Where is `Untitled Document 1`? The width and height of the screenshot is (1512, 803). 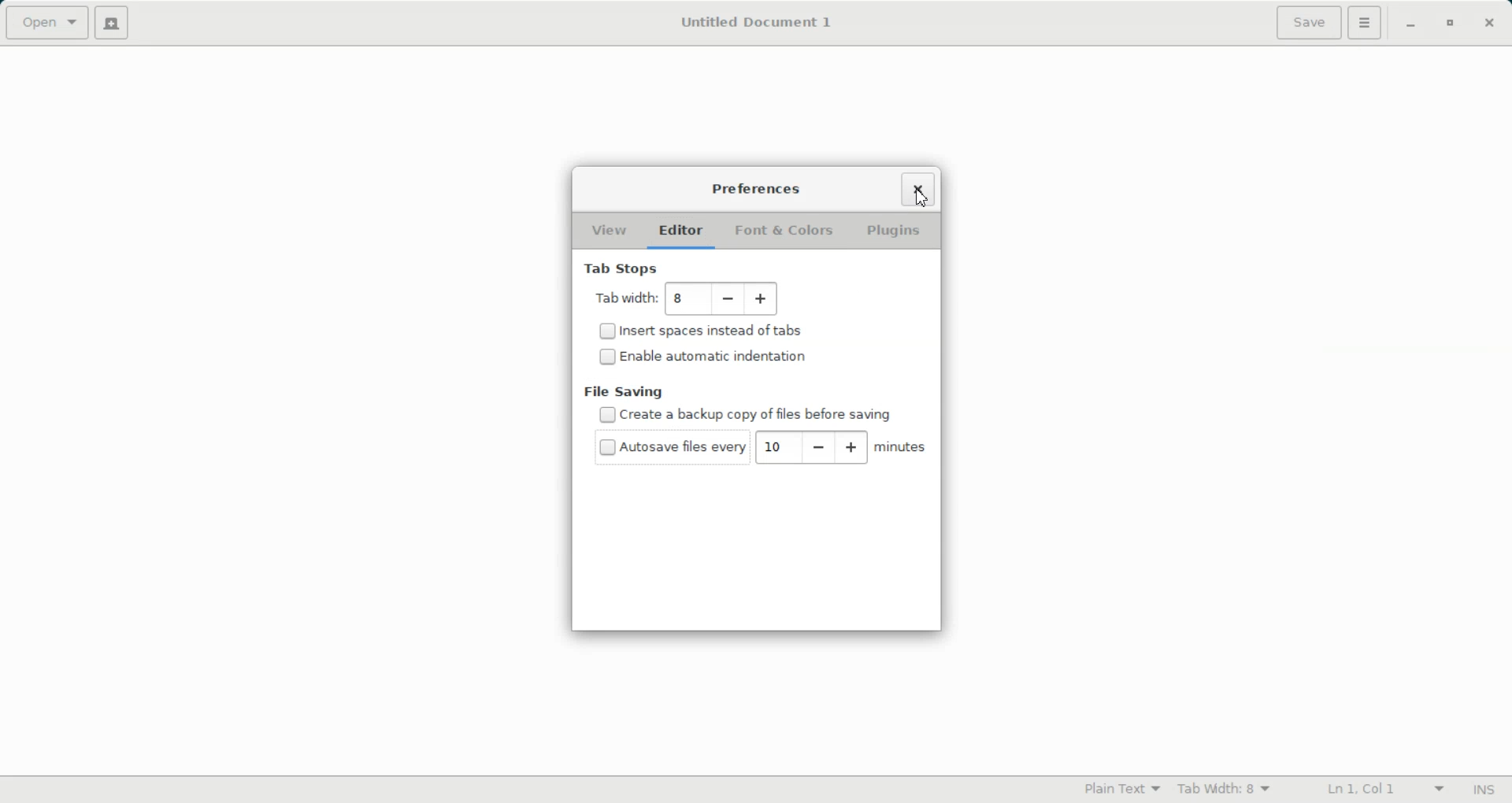 Untitled Document 1 is located at coordinates (753, 22).